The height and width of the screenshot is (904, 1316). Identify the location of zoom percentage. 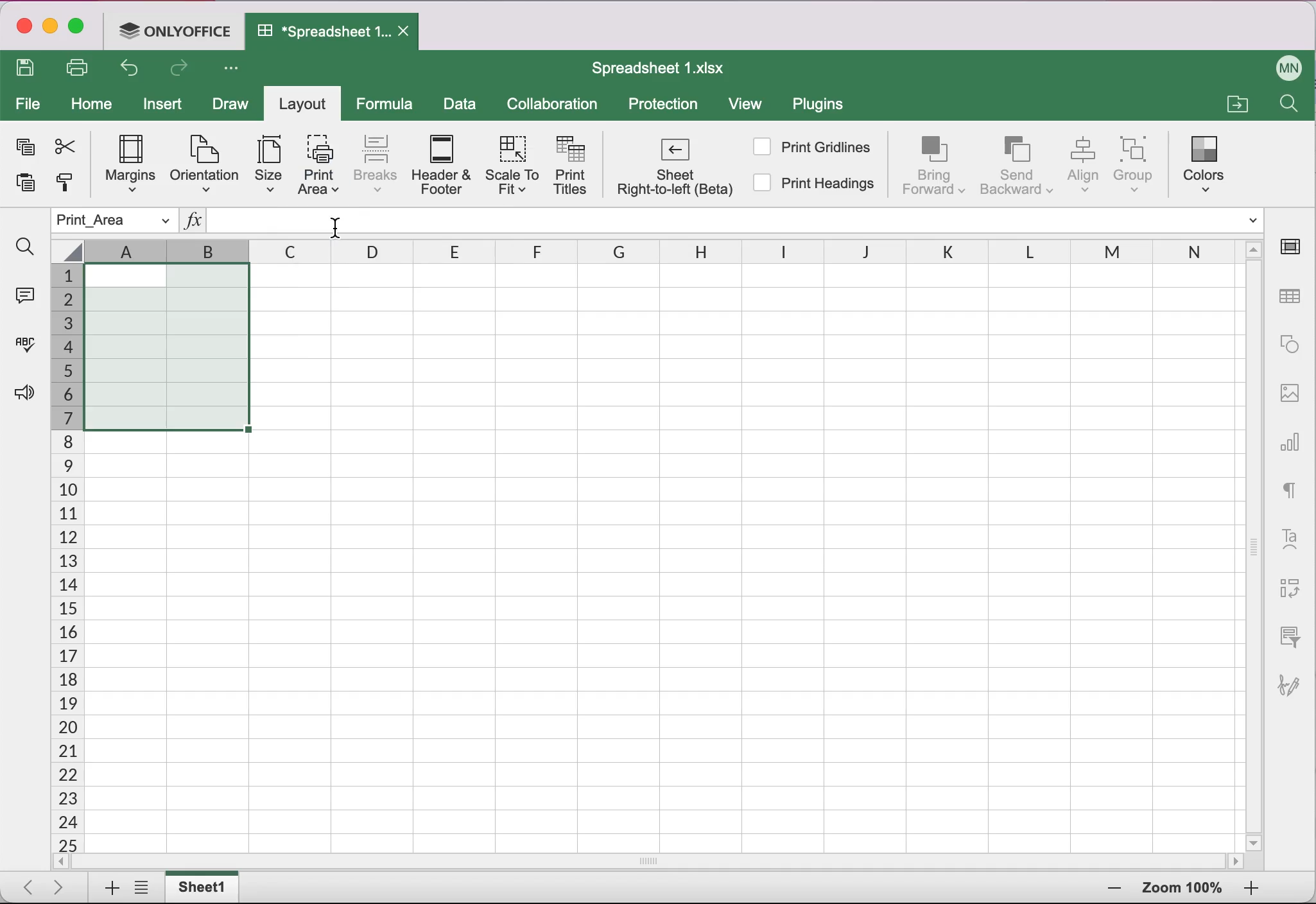
(1182, 890).